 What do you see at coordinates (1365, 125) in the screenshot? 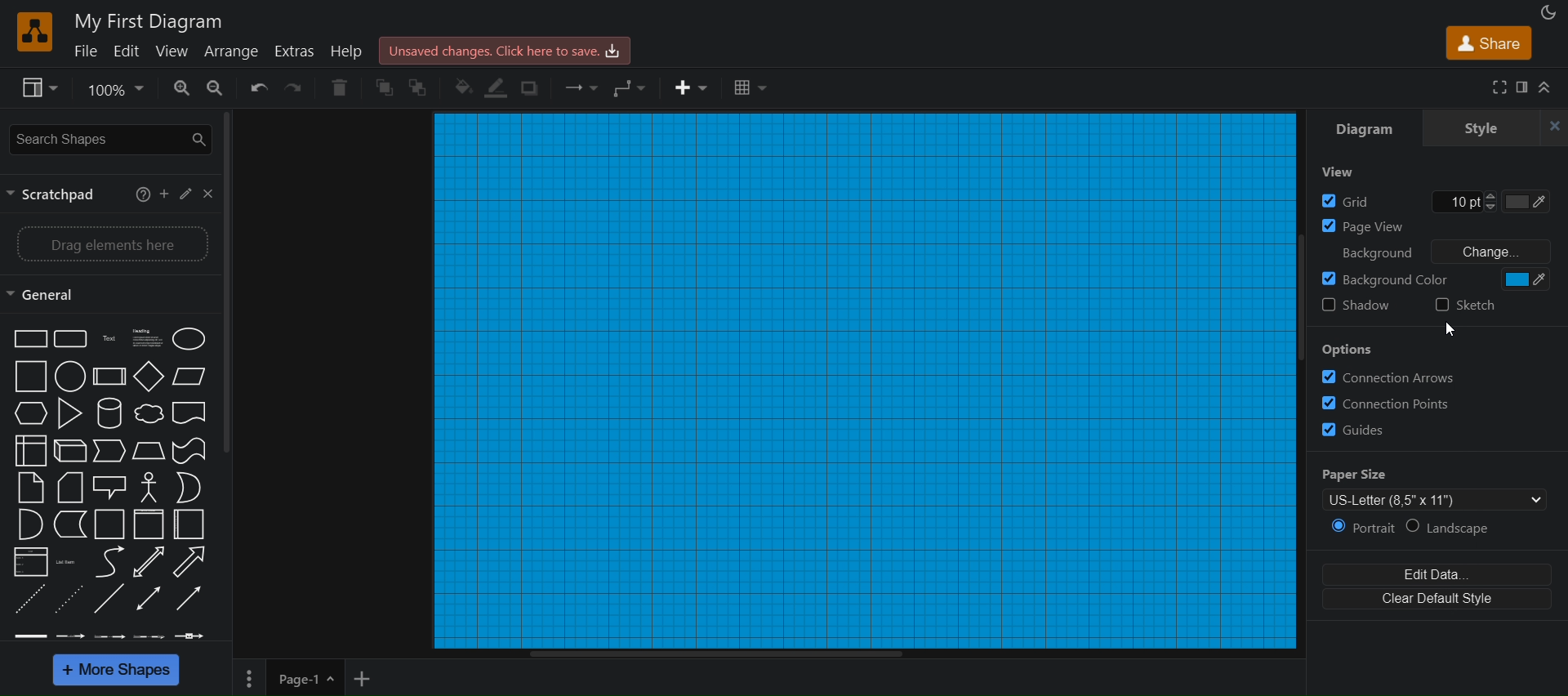
I see `diagram` at bounding box center [1365, 125].